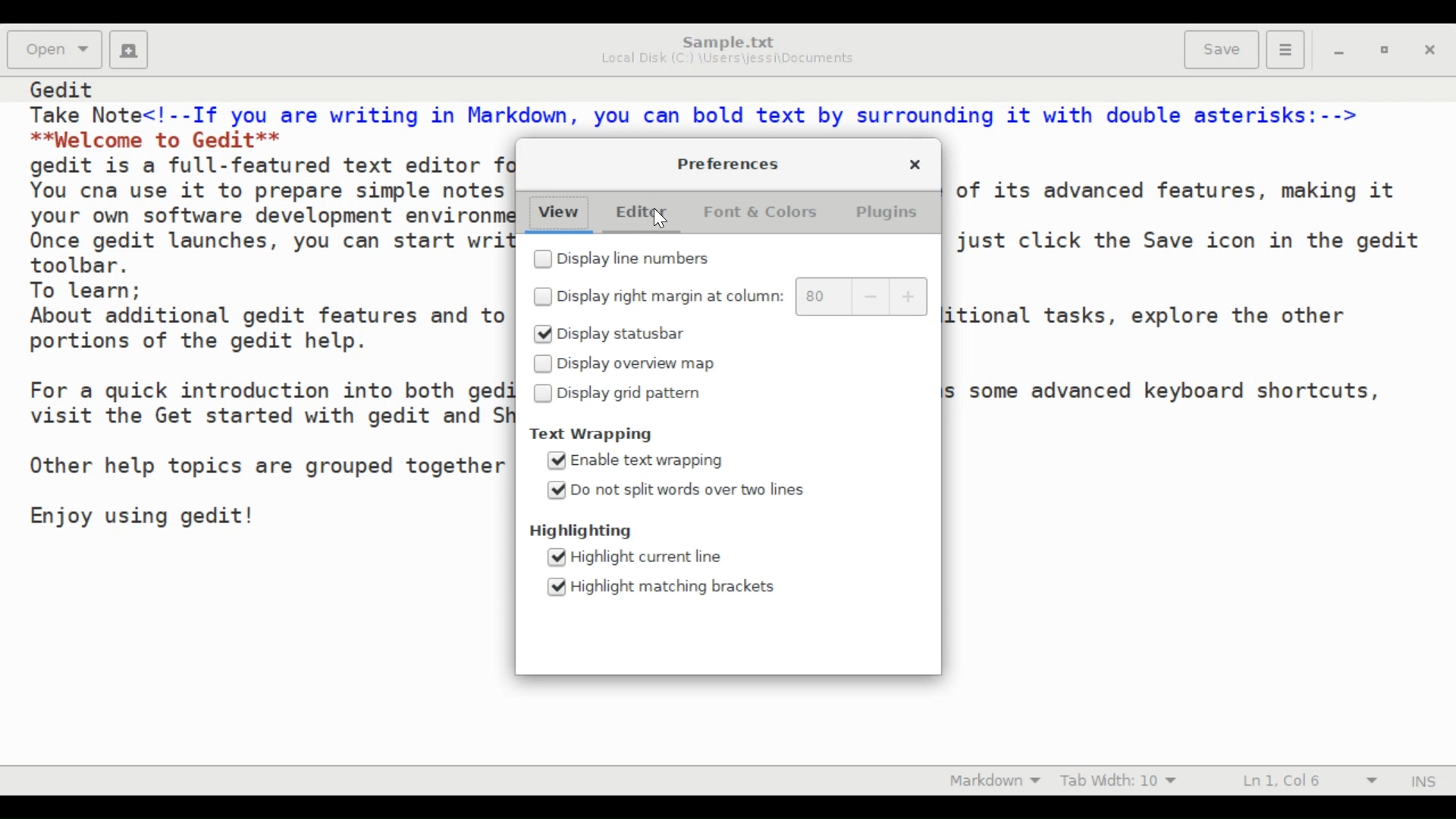 The width and height of the screenshot is (1456, 819). Describe the element at coordinates (1389, 53) in the screenshot. I see `restore` at that location.